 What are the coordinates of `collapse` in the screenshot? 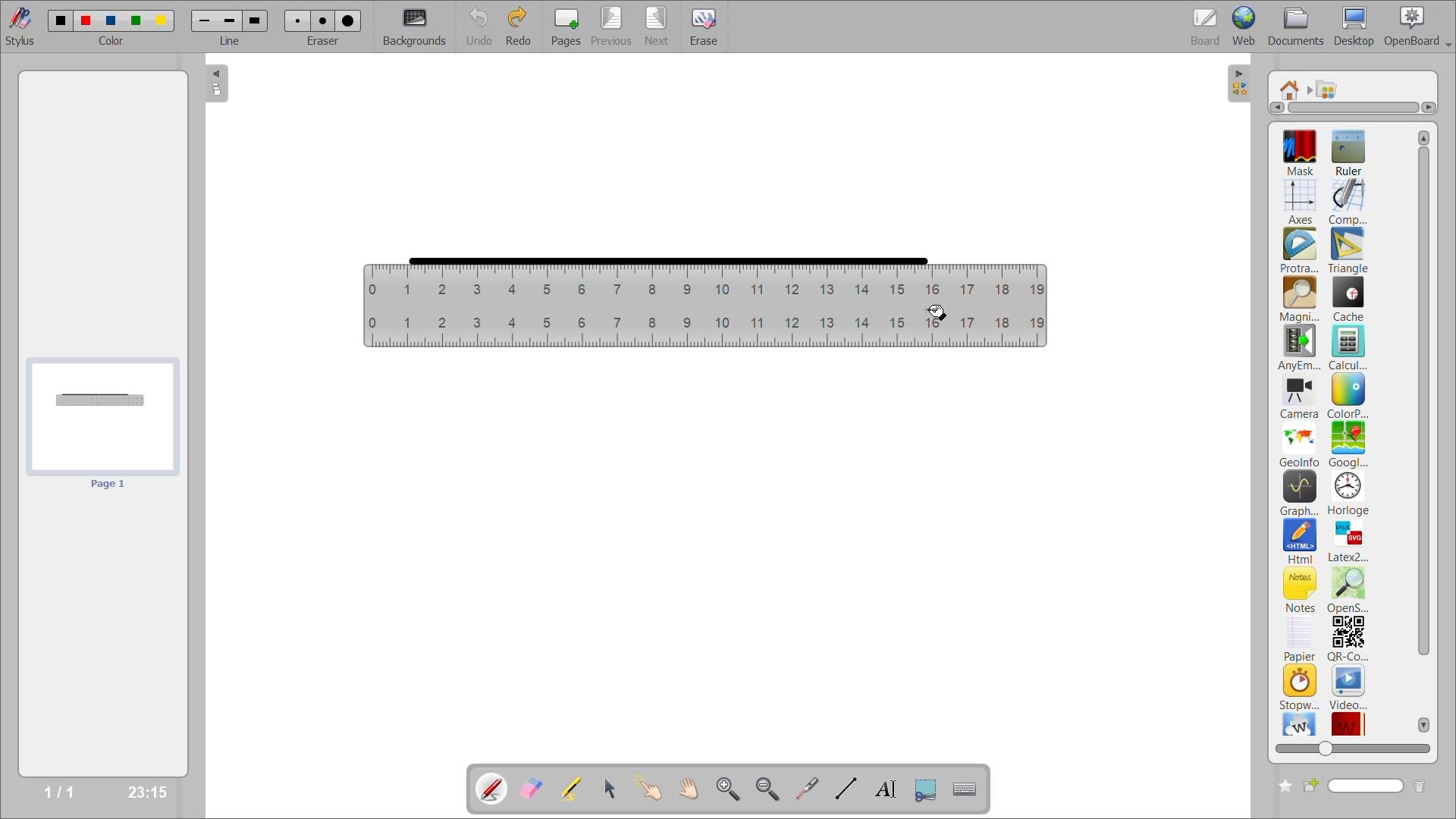 It's located at (1241, 84).